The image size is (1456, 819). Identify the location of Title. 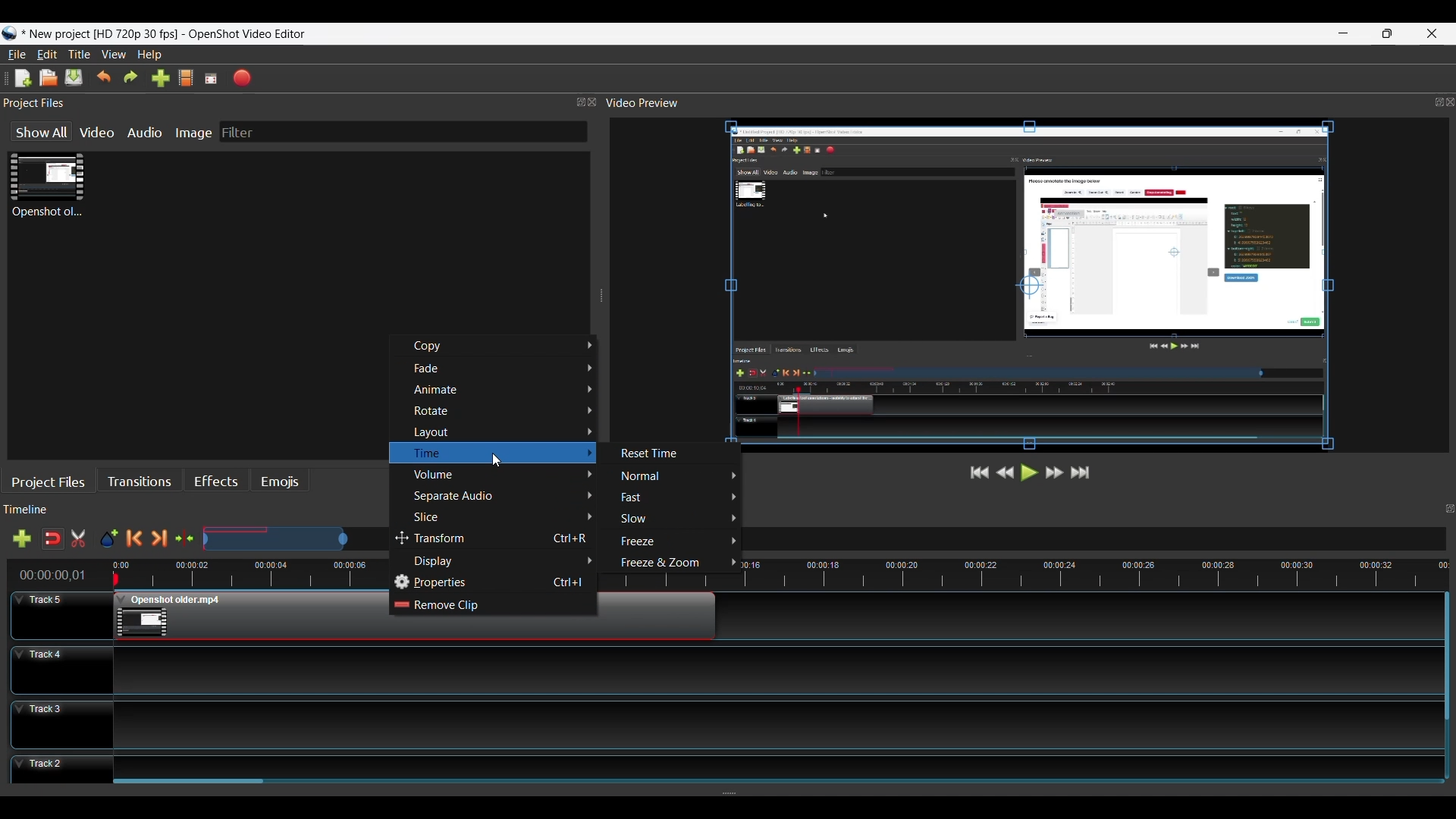
(81, 55).